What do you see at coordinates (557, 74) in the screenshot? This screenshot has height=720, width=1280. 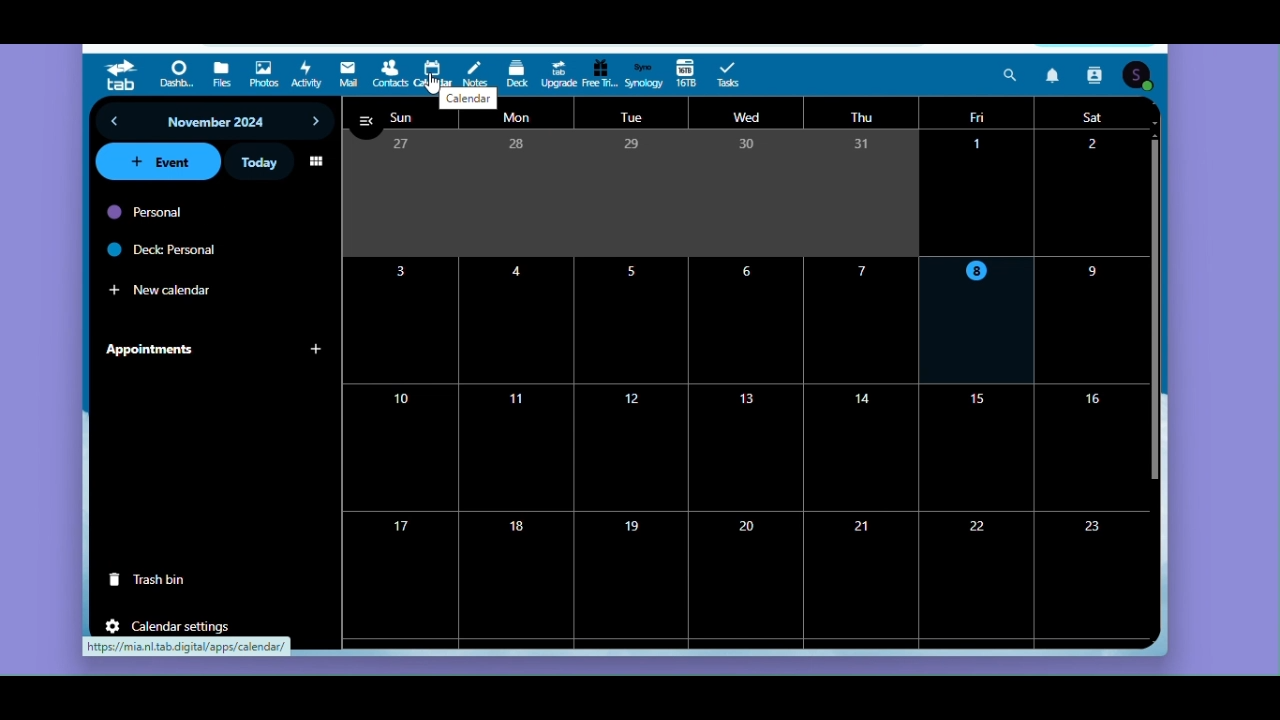 I see `Upgrade` at bounding box center [557, 74].